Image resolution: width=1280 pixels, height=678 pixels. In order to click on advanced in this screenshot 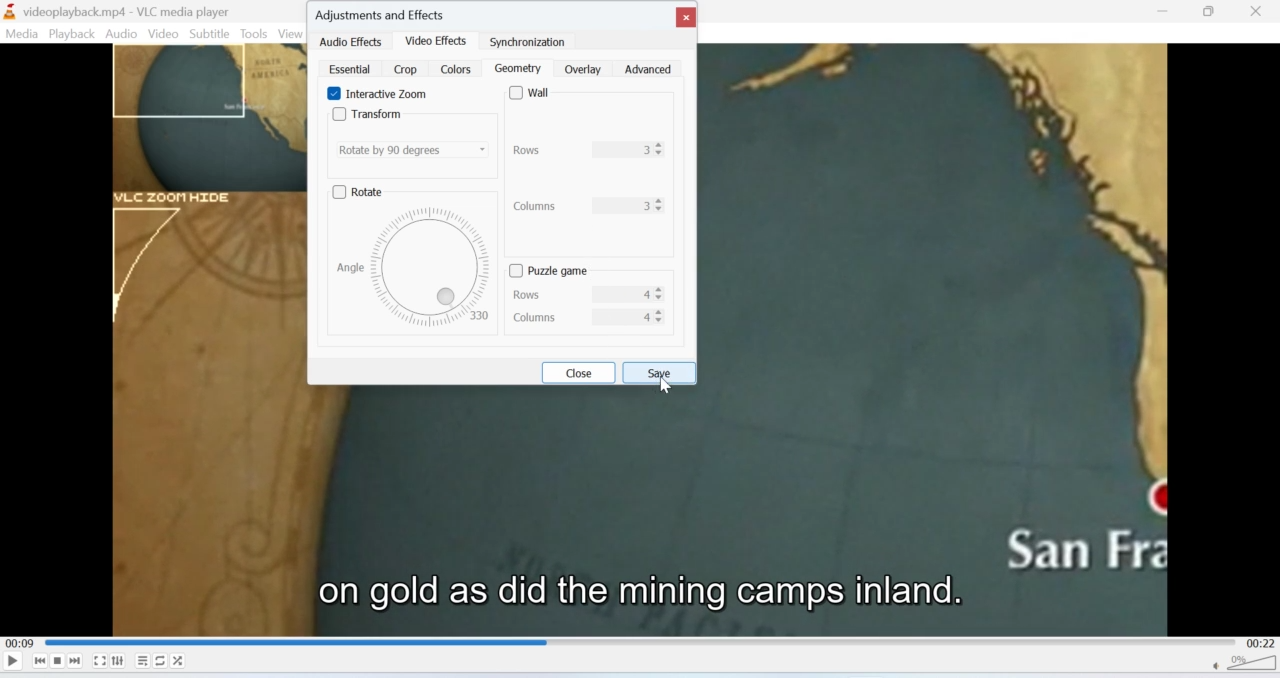, I will do `click(650, 69)`.